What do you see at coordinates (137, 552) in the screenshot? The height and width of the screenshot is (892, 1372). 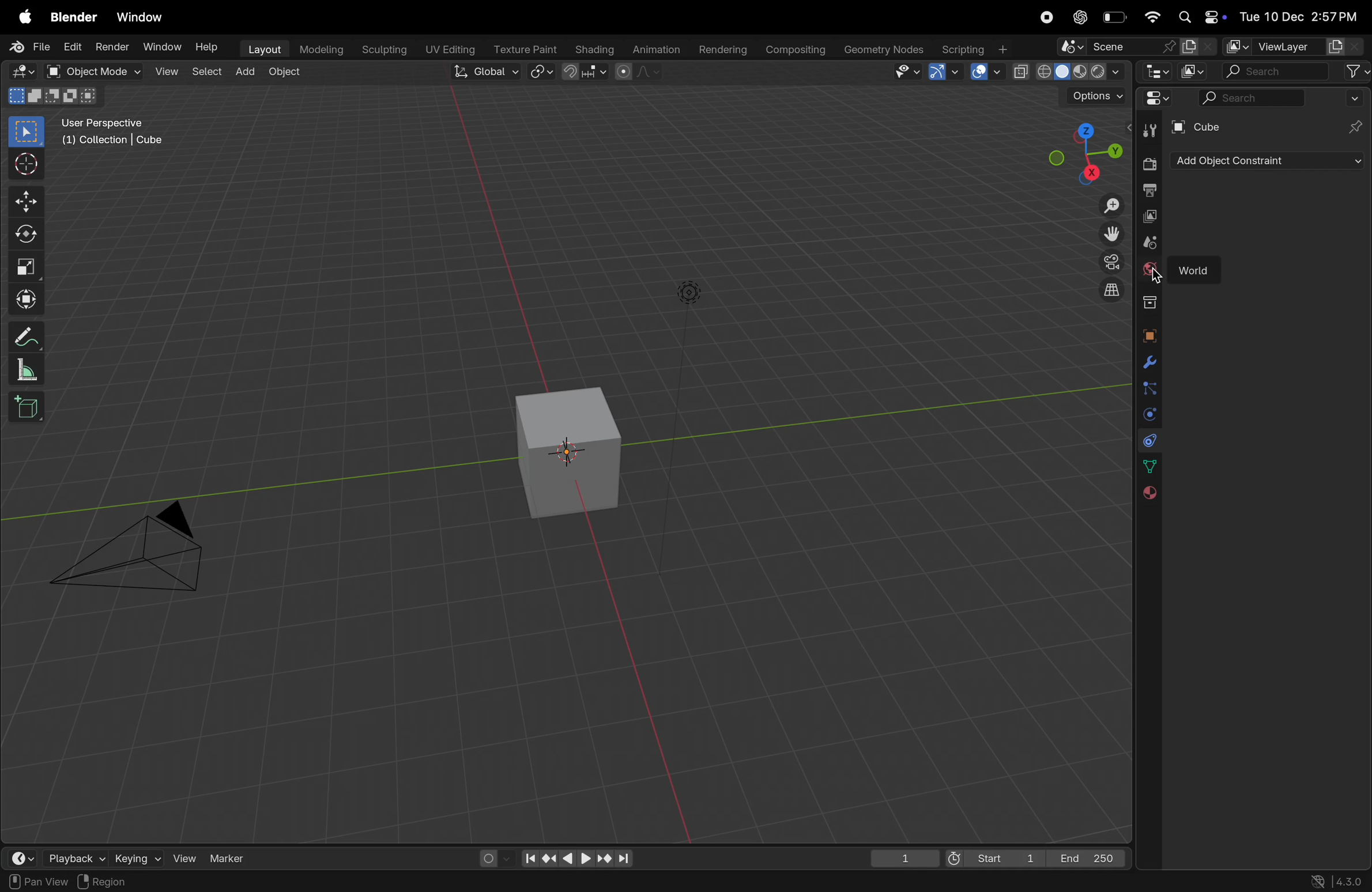 I see `camera` at bounding box center [137, 552].